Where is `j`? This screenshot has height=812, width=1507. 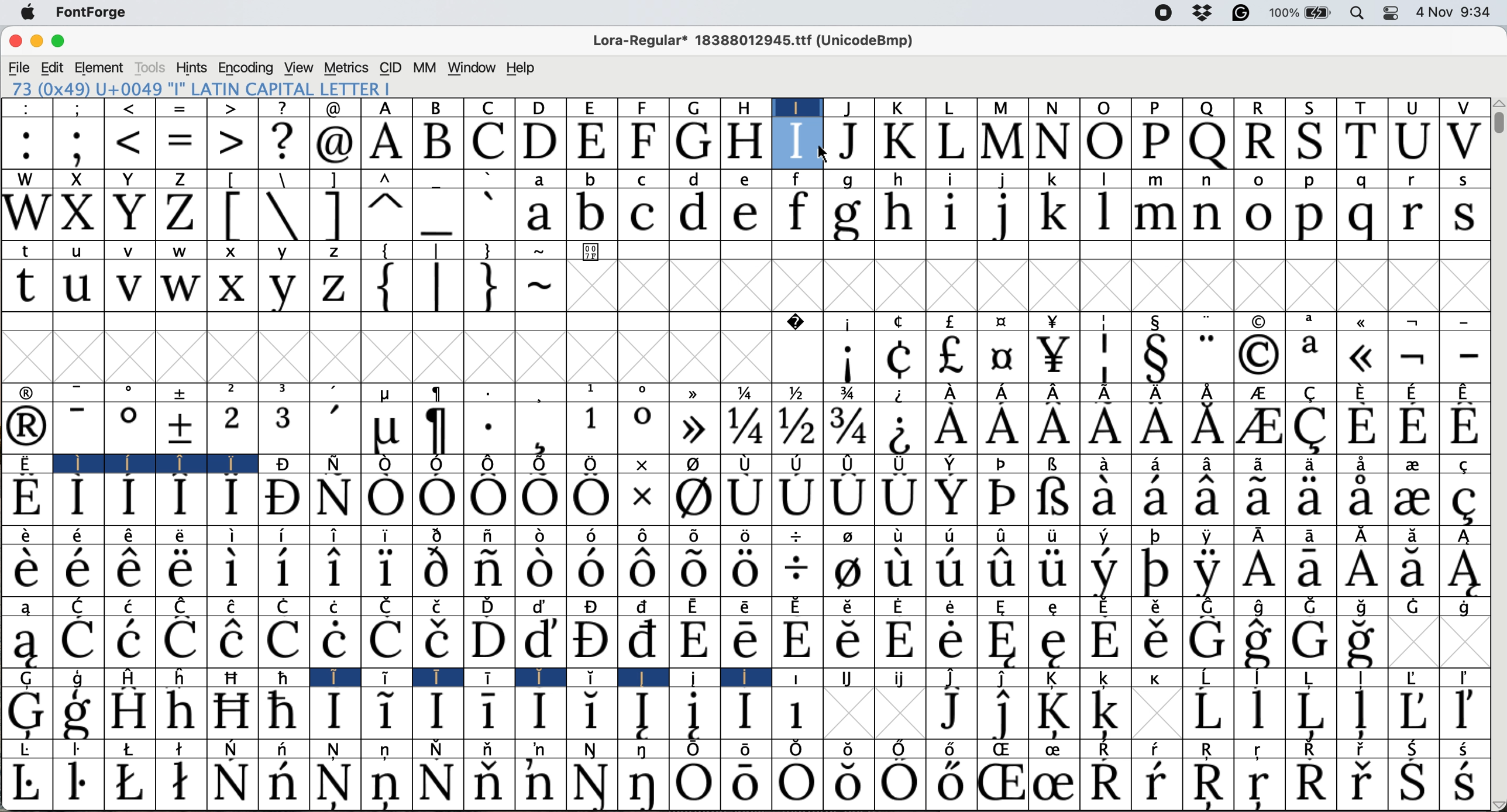
j is located at coordinates (1003, 180).